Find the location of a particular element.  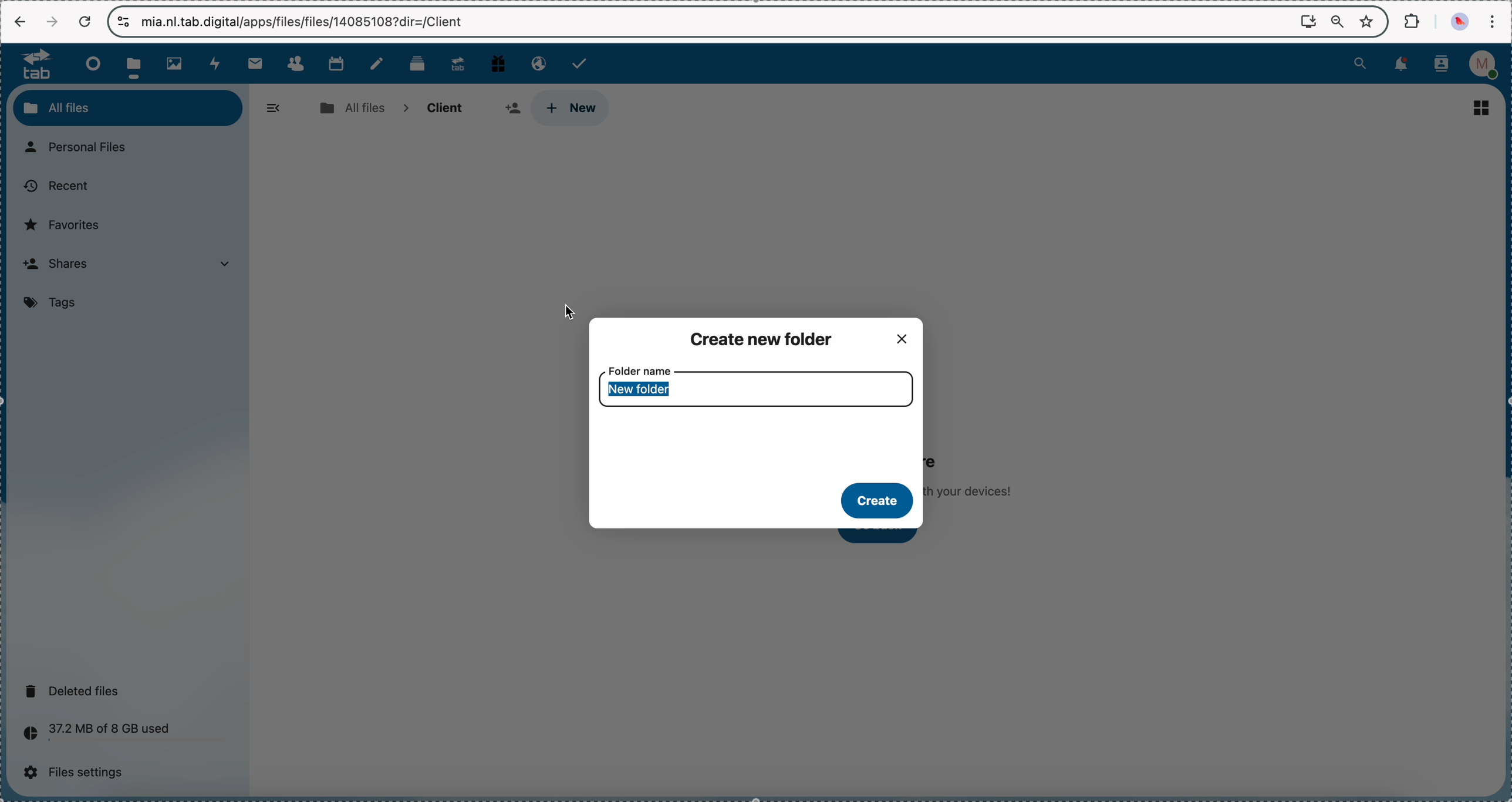

deleted files is located at coordinates (76, 690).